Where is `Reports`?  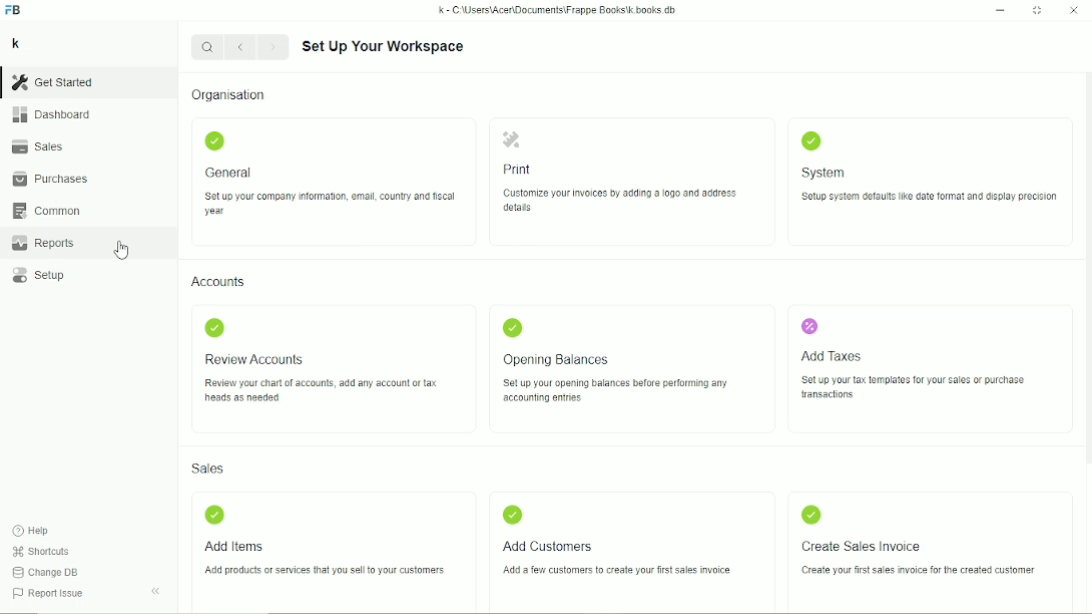 Reports is located at coordinates (42, 243).